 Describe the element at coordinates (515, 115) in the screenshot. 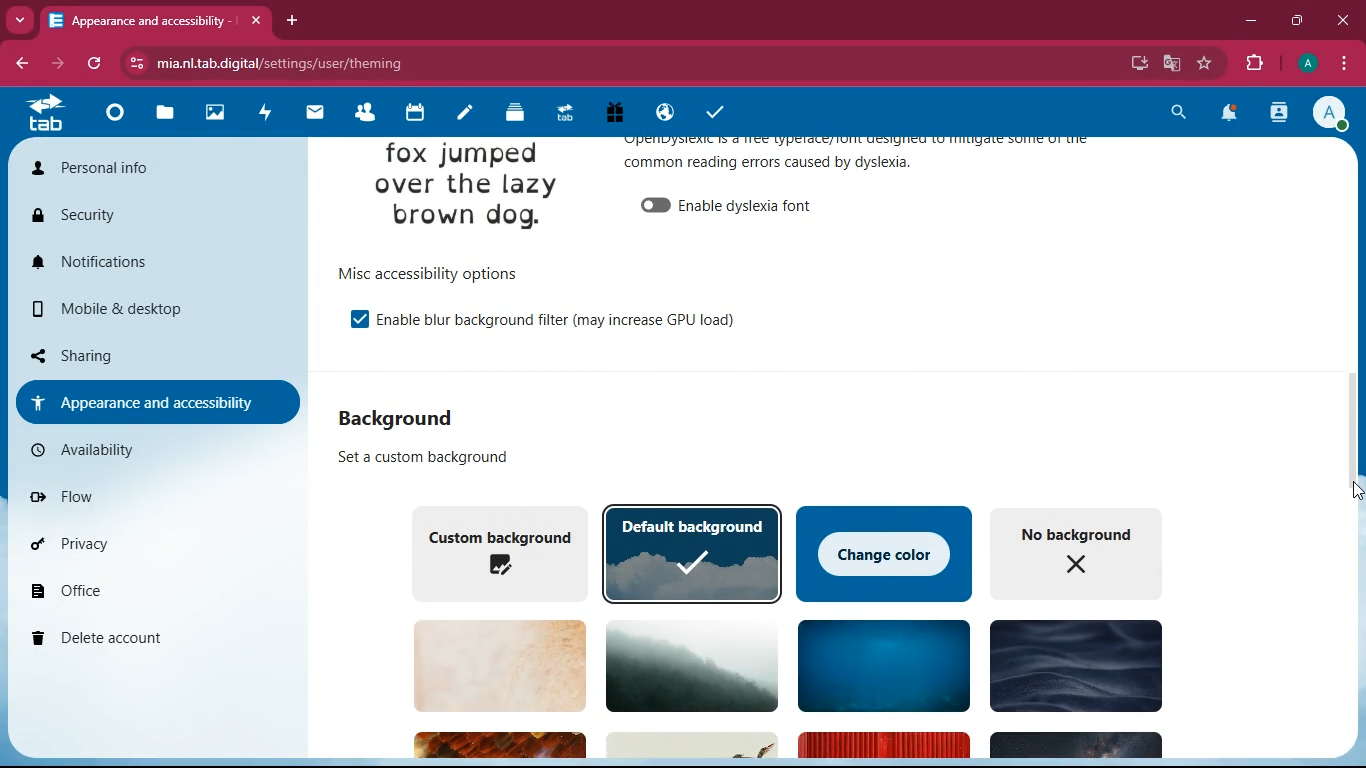

I see `layers` at that location.